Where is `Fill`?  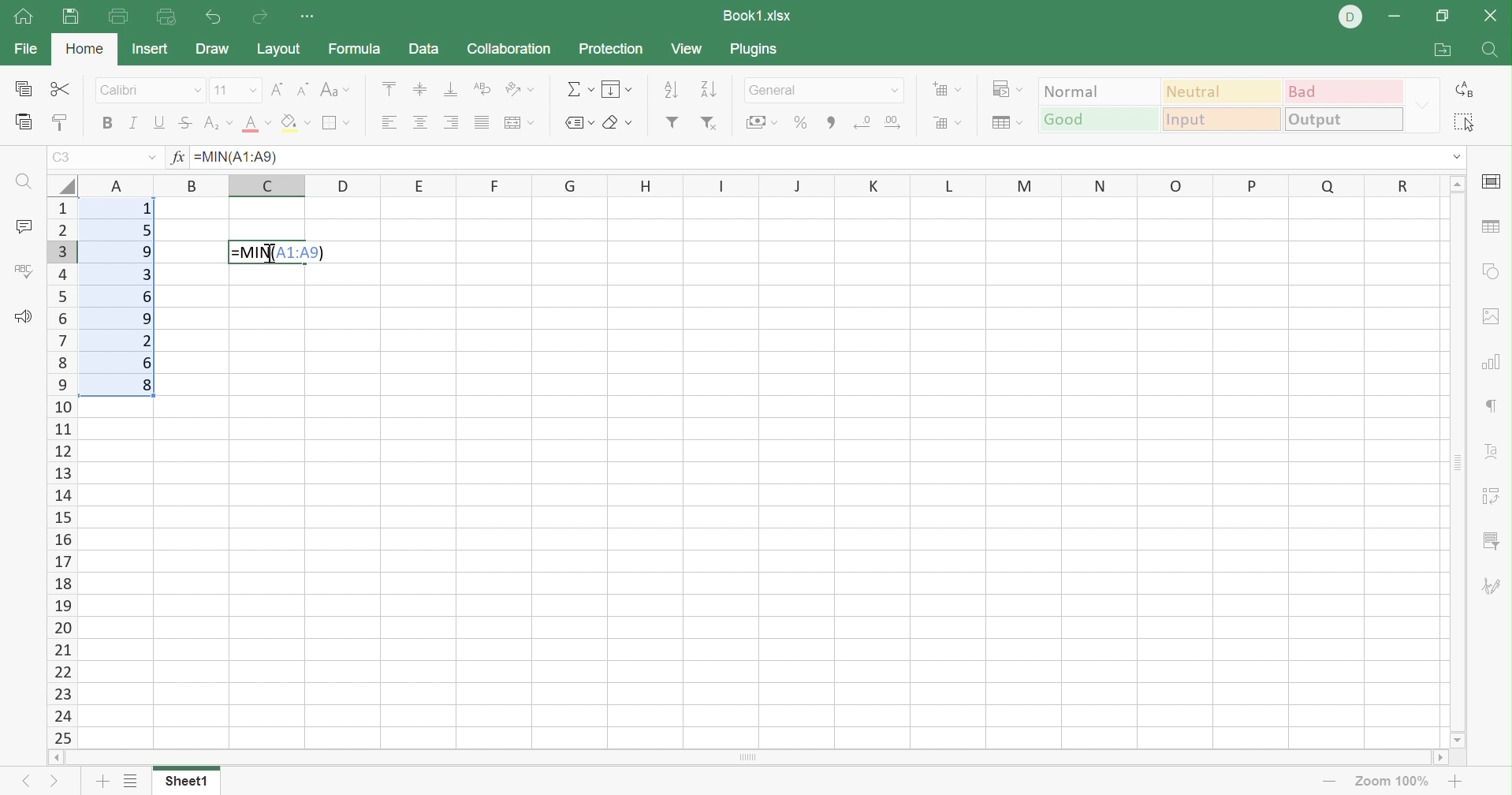
Fill is located at coordinates (296, 125).